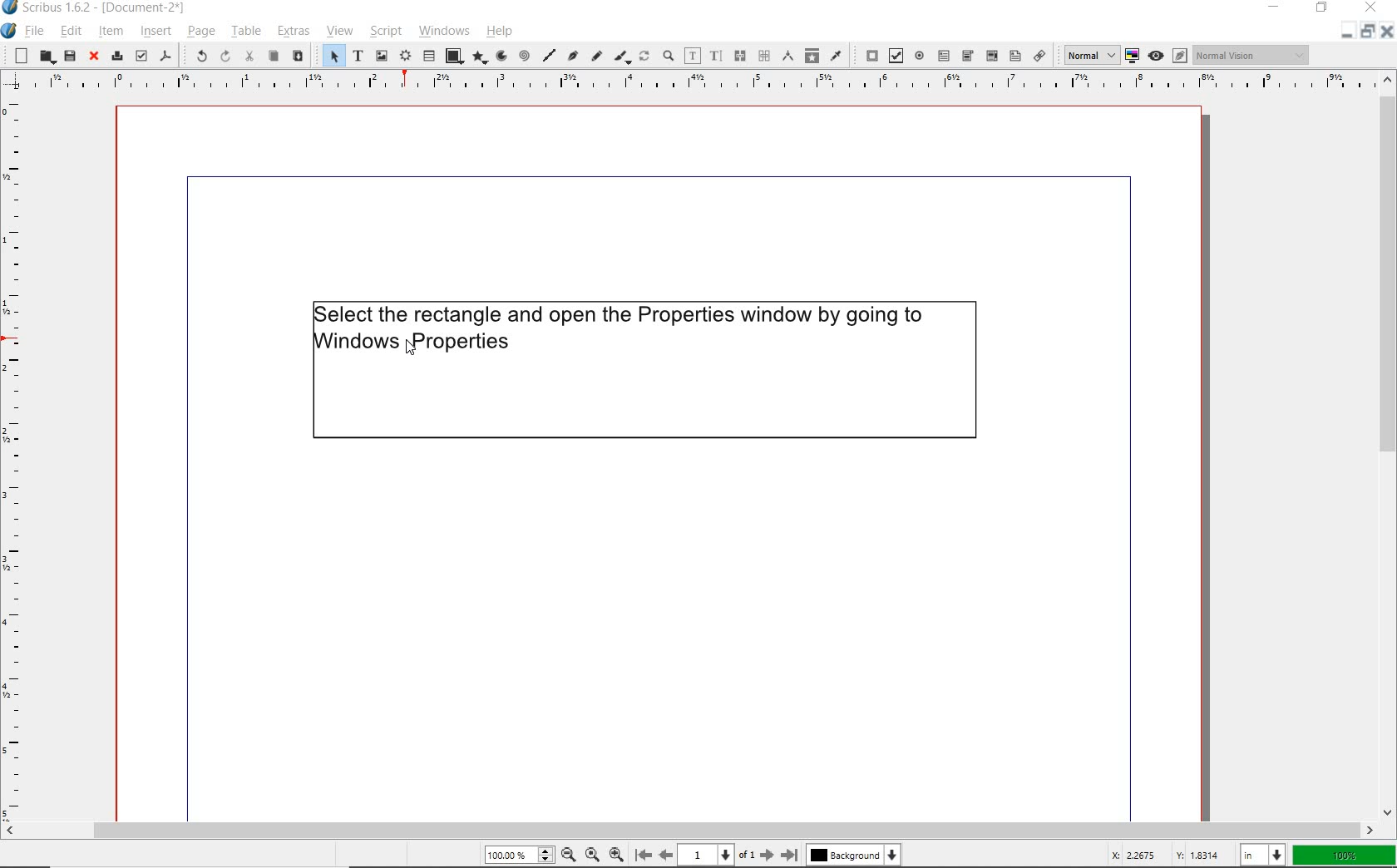 The height and width of the screenshot is (868, 1397). What do you see at coordinates (338, 33) in the screenshot?
I see `view` at bounding box center [338, 33].